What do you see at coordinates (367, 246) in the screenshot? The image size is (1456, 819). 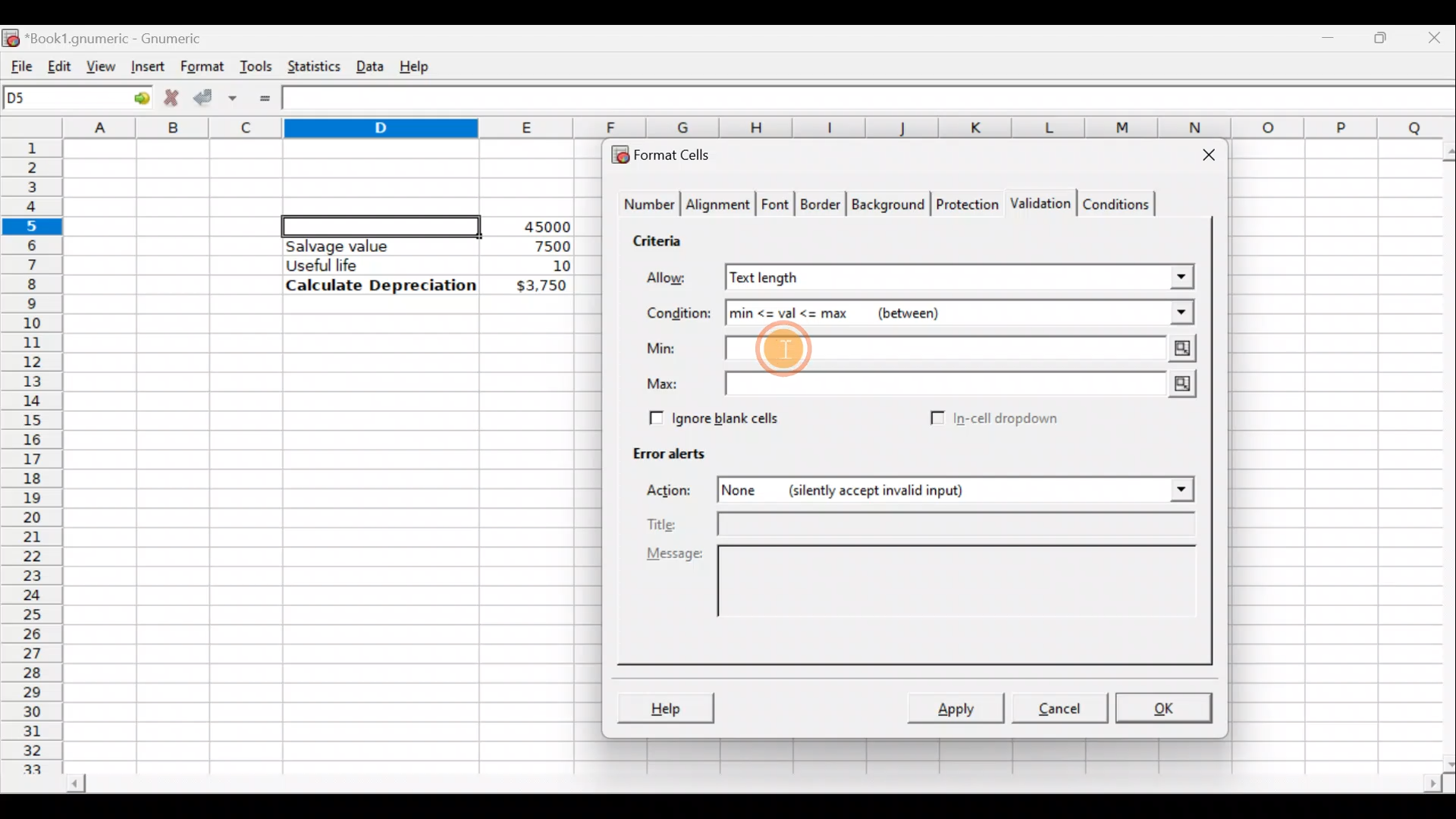 I see `Salvage value` at bounding box center [367, 246].